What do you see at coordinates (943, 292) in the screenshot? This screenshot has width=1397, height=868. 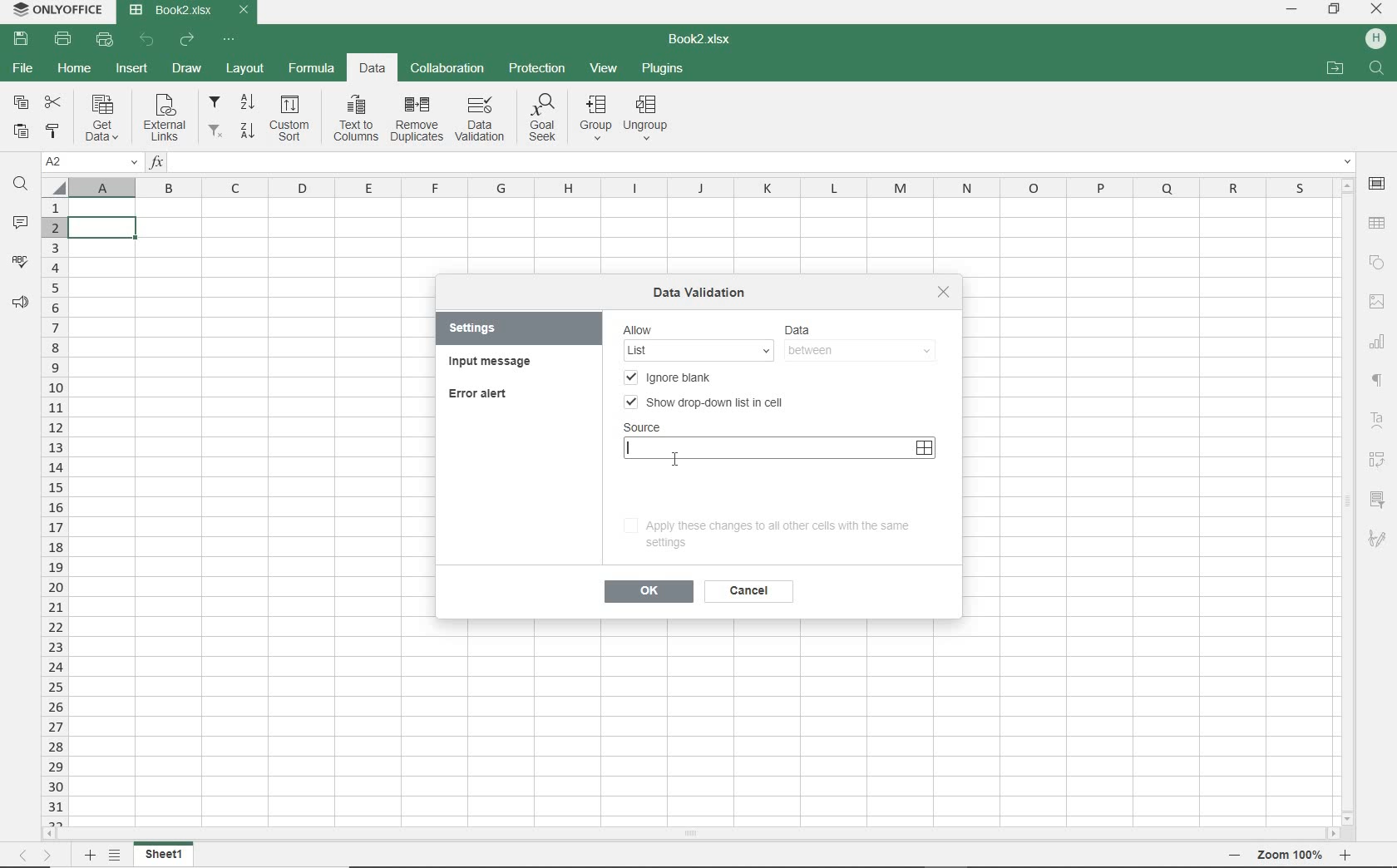 I see `close` at bounding box center [943, 292].